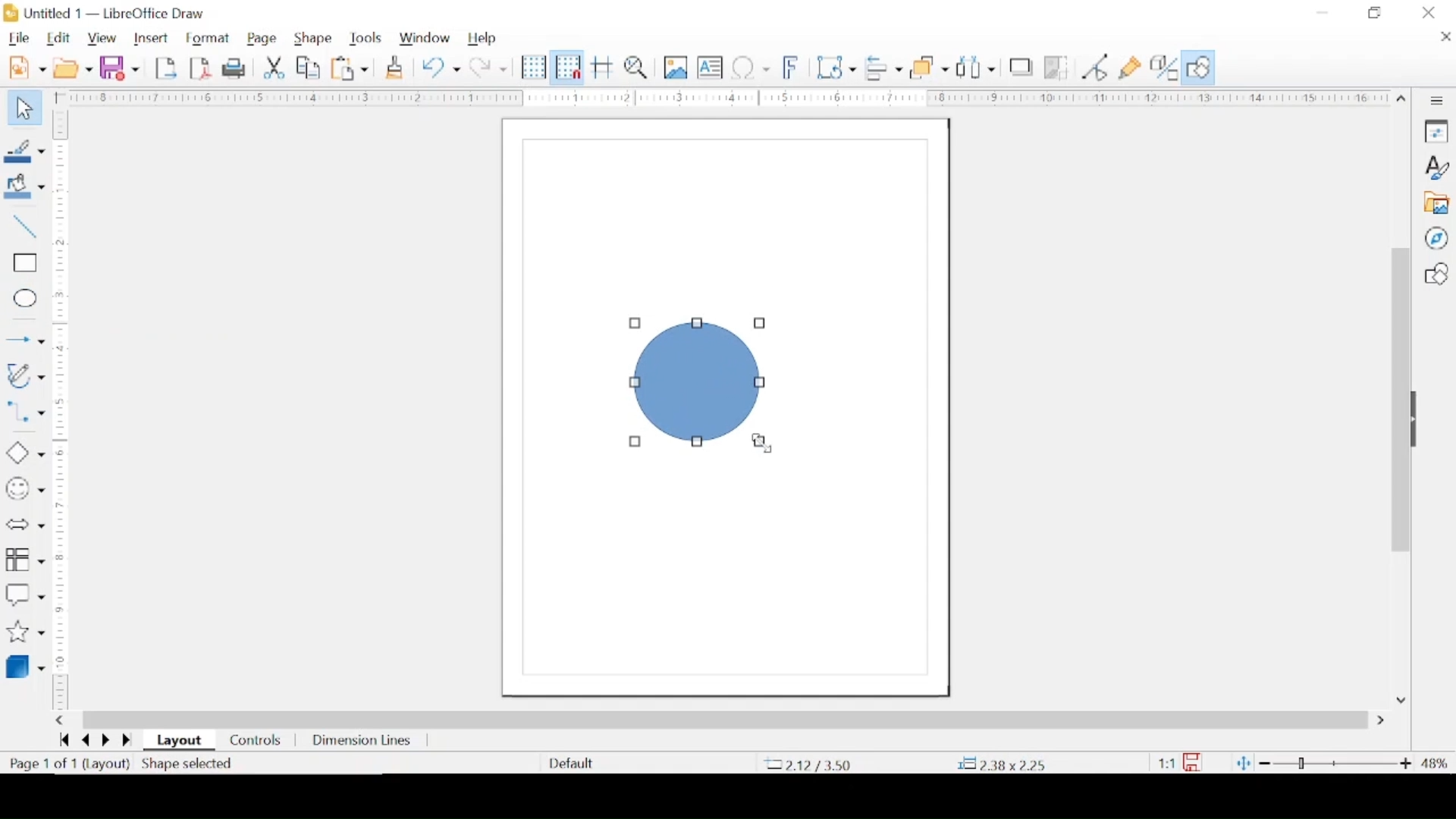  Describe the element at coordinates (635, 324) in the screenshot. I see `resize handle` at that location.